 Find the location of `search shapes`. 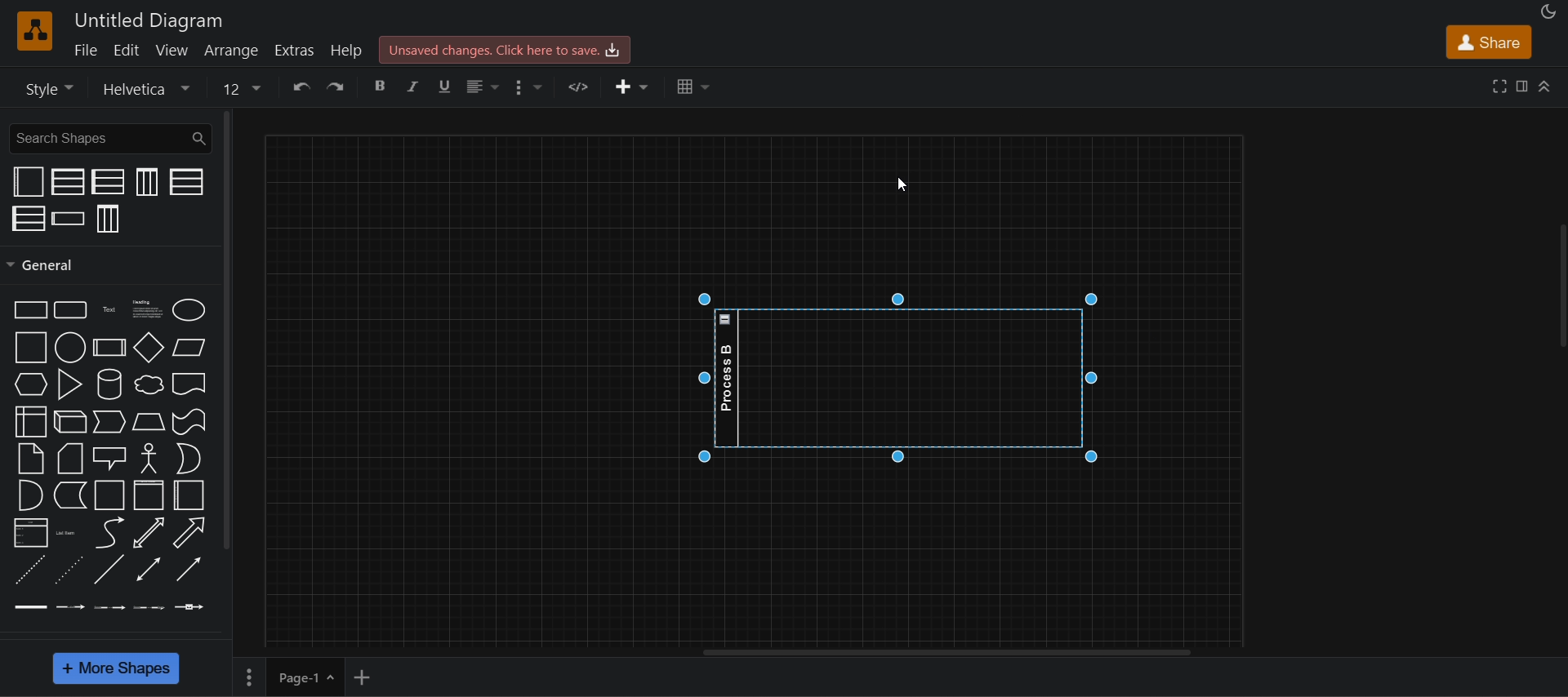

search shapes is located at coordinates (109, 137).